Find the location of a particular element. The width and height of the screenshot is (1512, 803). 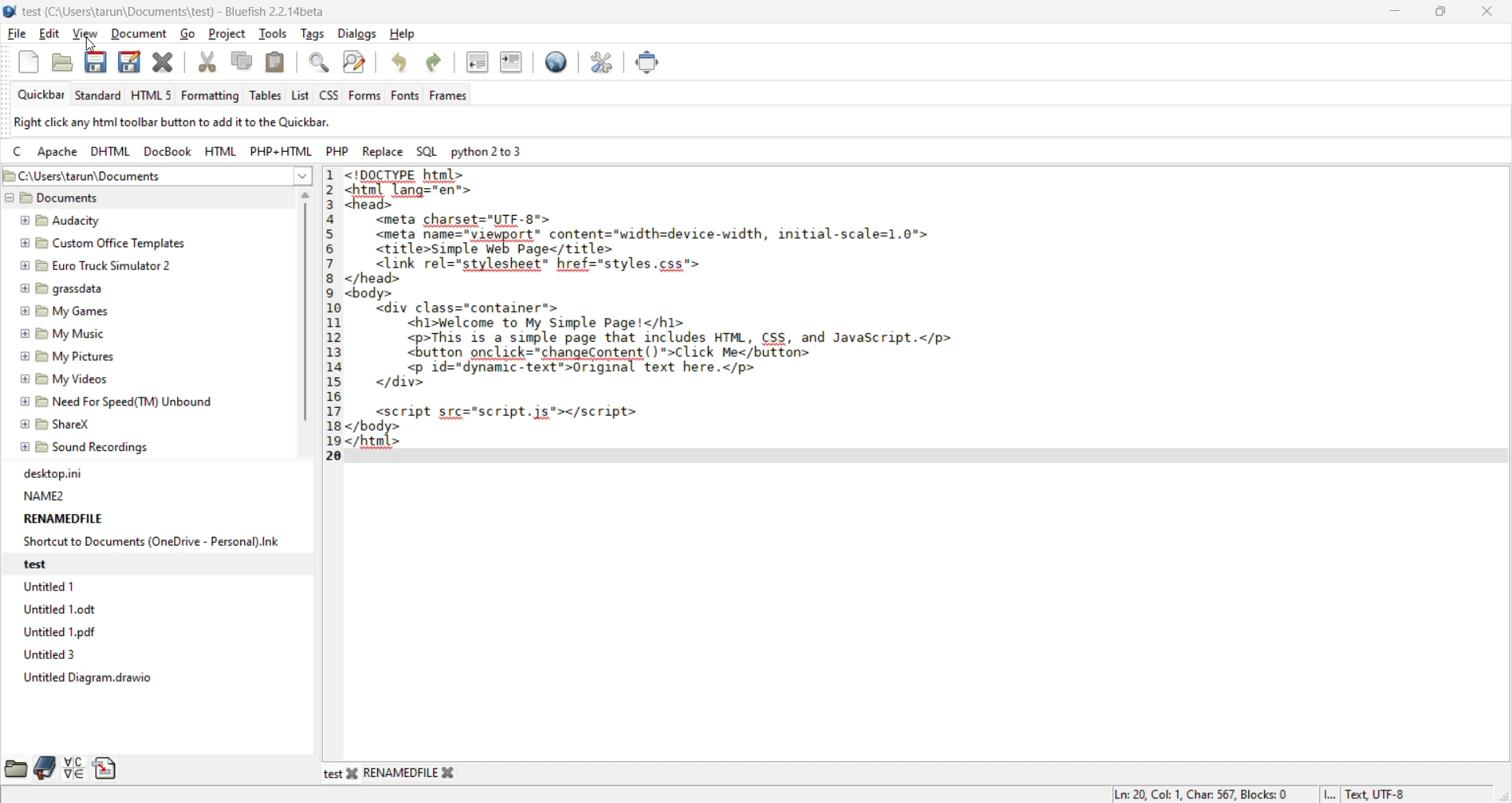

metadata is located at coordinates (1262, 794).